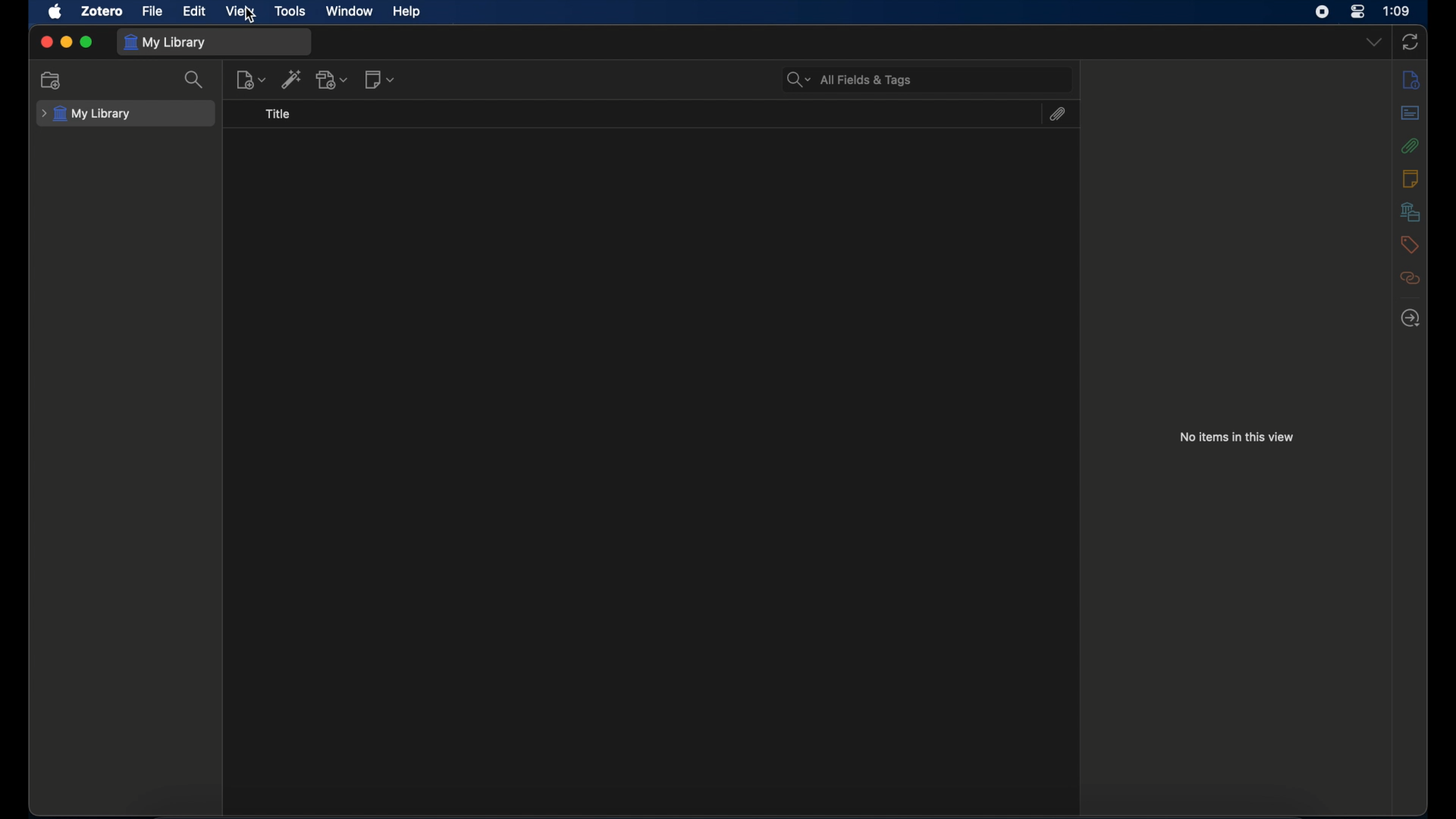  I want to click on , so click(1411, 318).